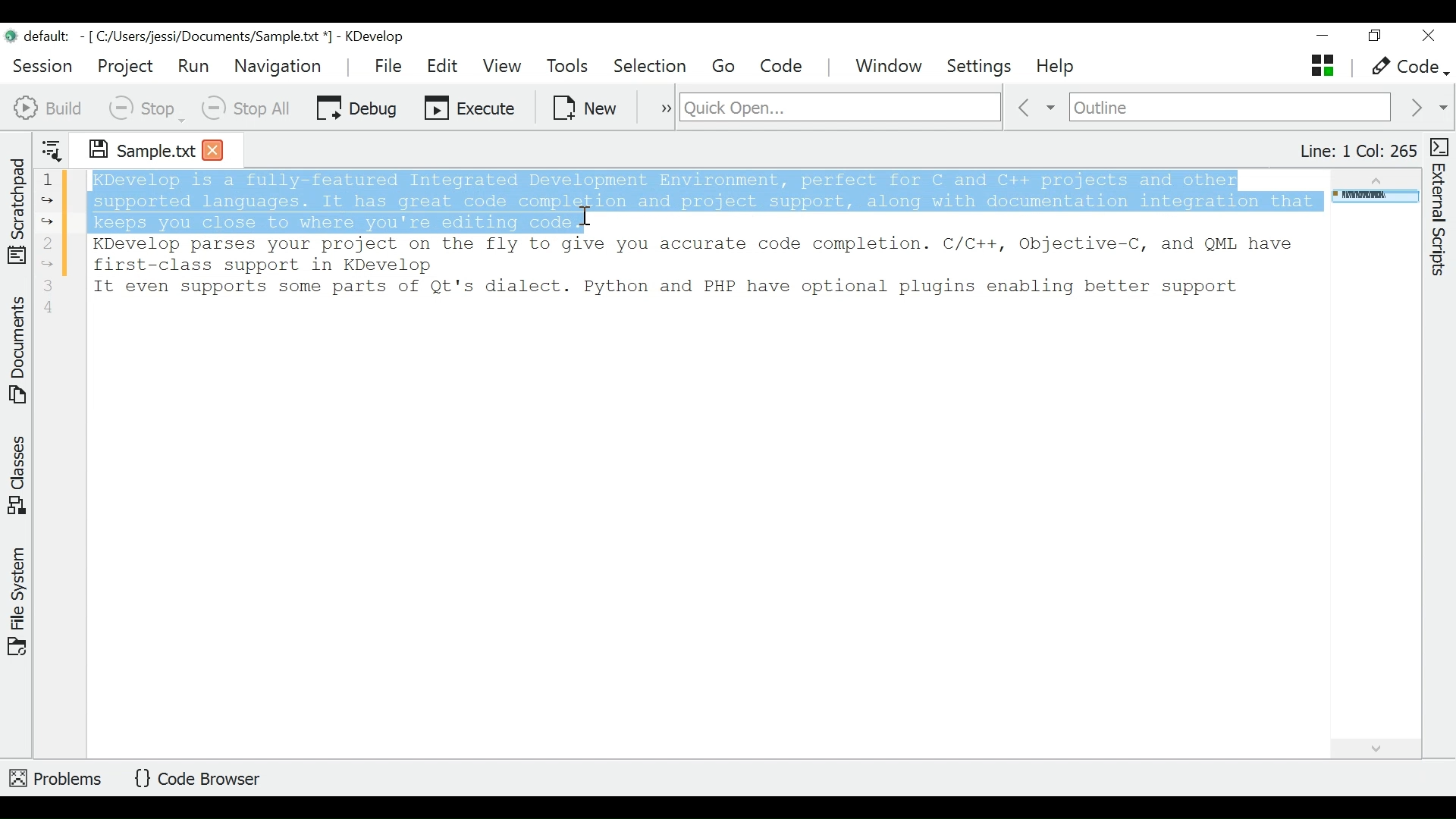 The image size is (1456, 819). Describe the element at coordinates (211, 39) in the screenshot. I see `default - [C:/Users/jessi/Documents/Sample.txt*] - KDevelop` at that location.